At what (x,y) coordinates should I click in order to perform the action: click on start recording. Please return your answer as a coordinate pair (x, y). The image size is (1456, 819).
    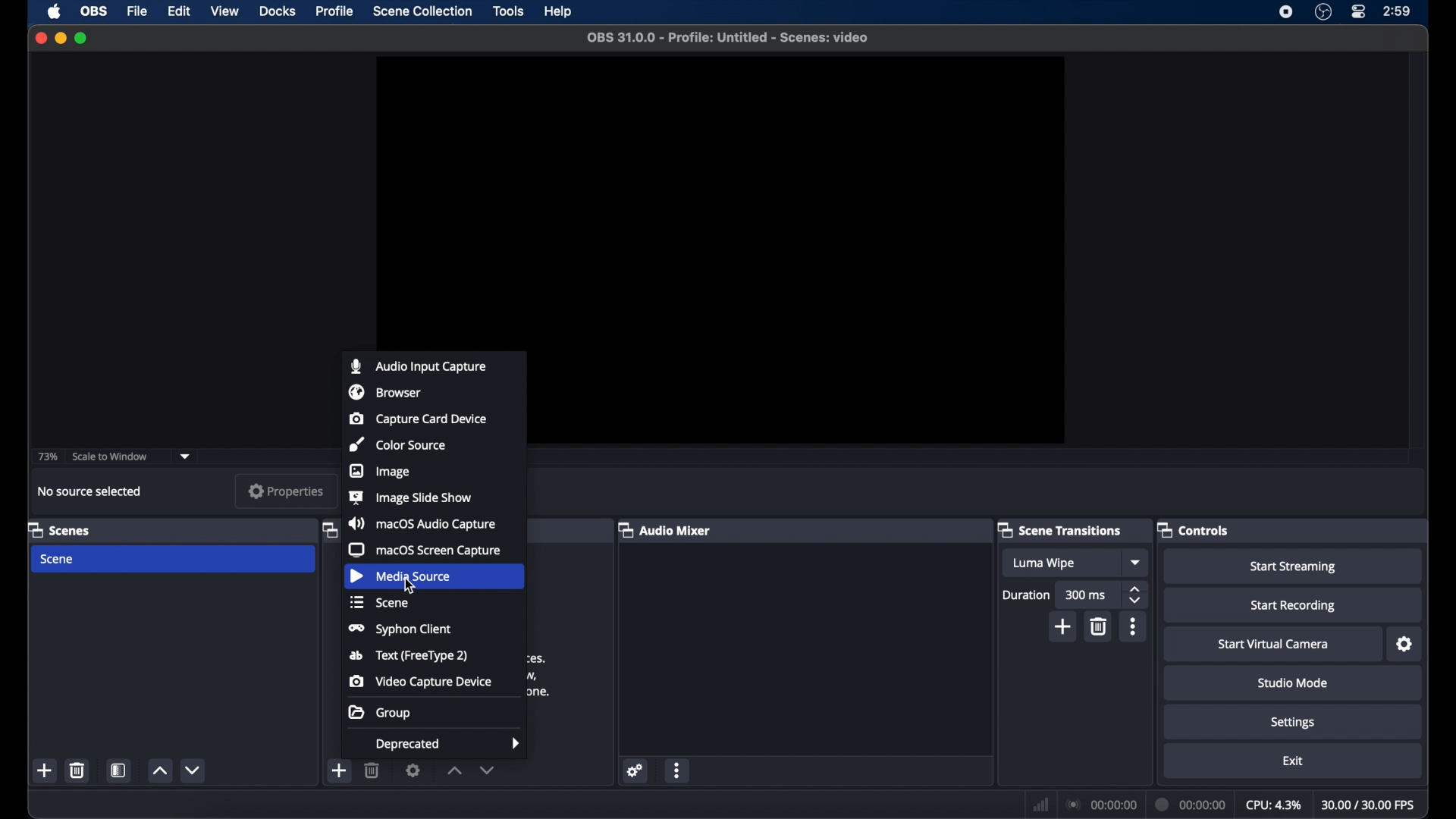
    Looking at the image, I should click on (1293, 606).